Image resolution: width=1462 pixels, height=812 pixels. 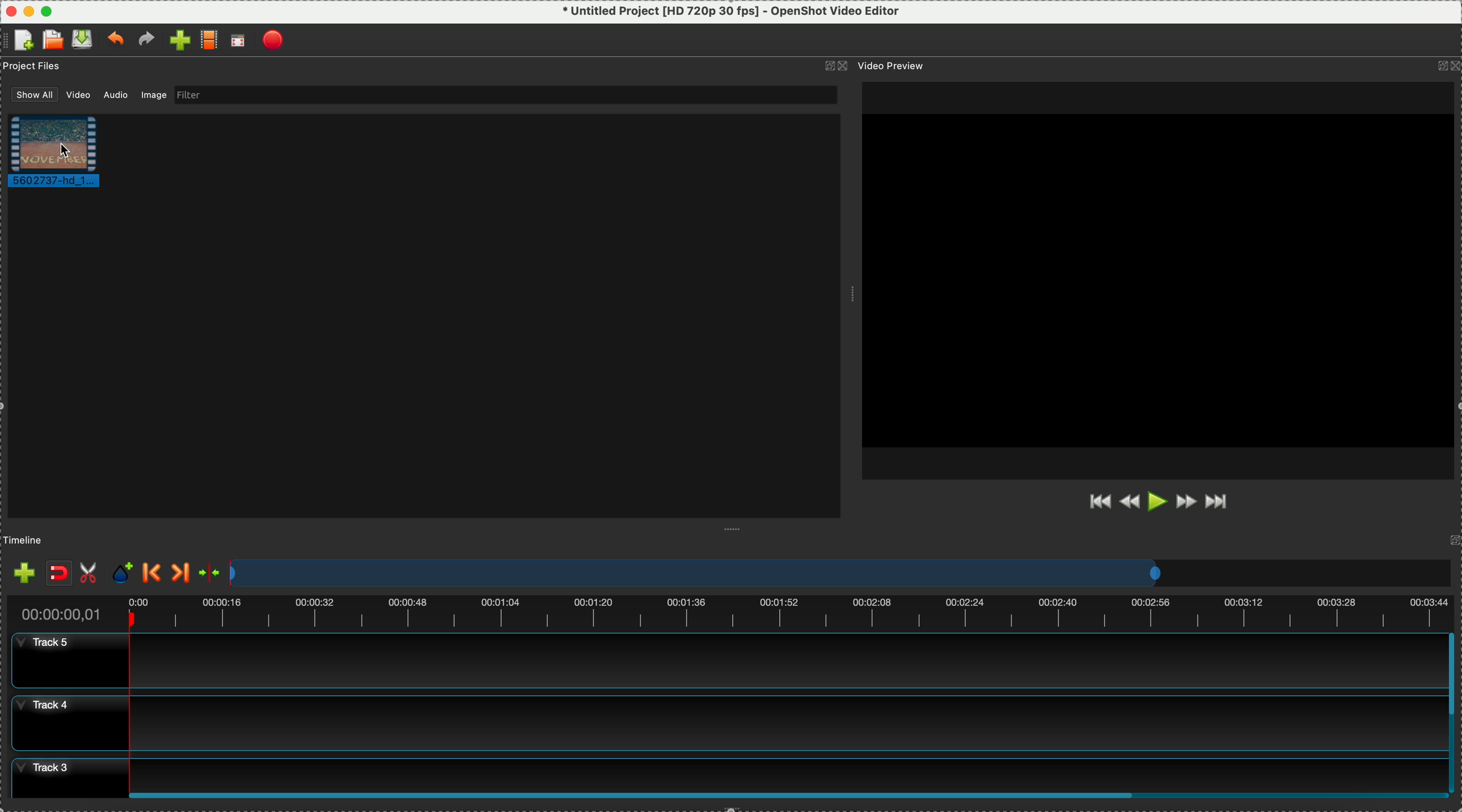 I want to click on window expanding, so click(x=736, y=529).